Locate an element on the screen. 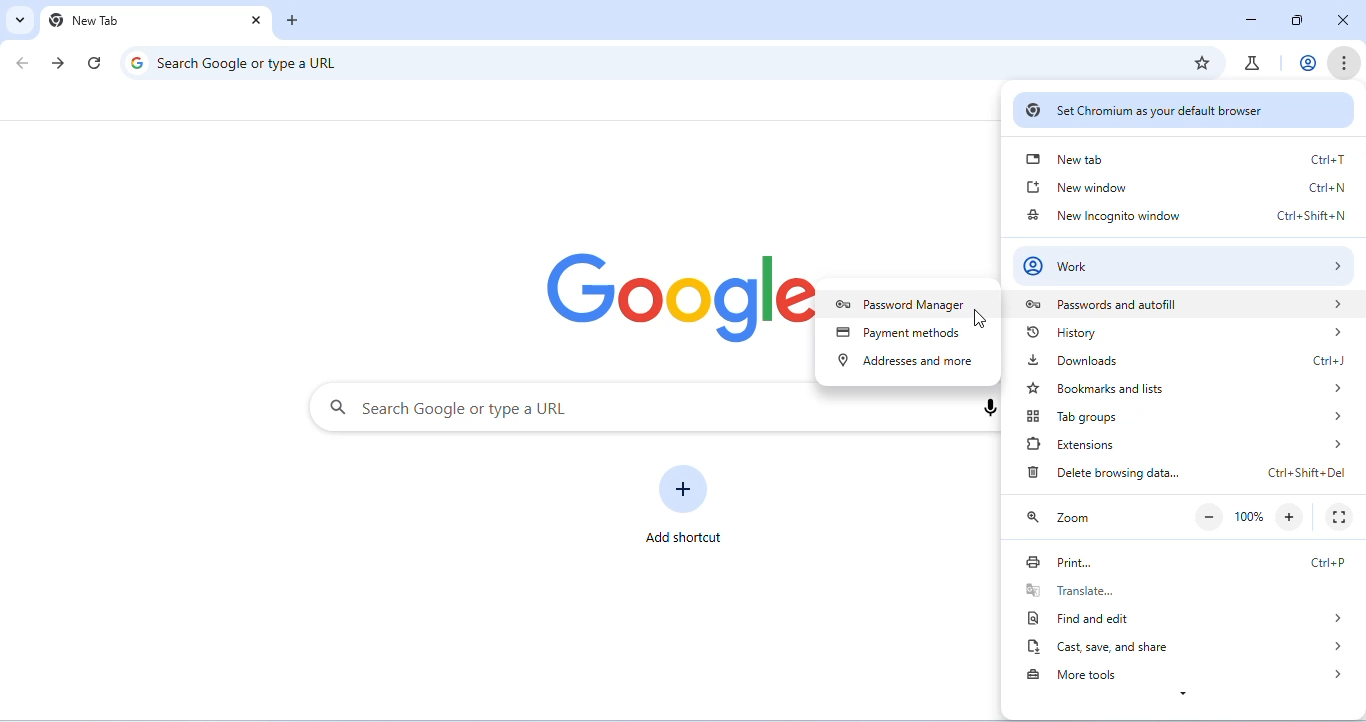 The height and width of the screenshot is (722, 1366). cursor is located at coordinates (979, 321).